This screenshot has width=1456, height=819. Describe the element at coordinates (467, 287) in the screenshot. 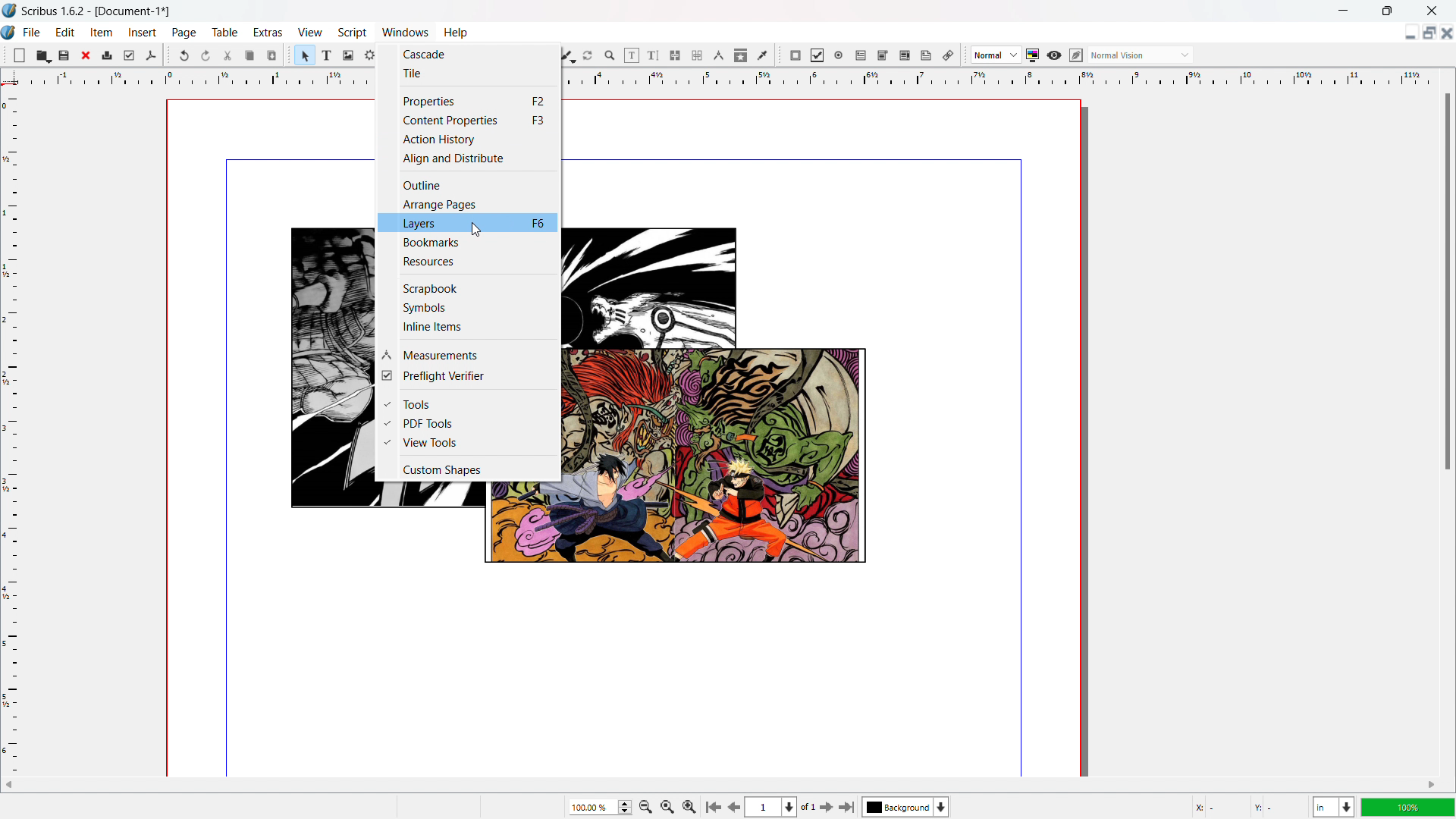

I see `scrapbook` at that location.